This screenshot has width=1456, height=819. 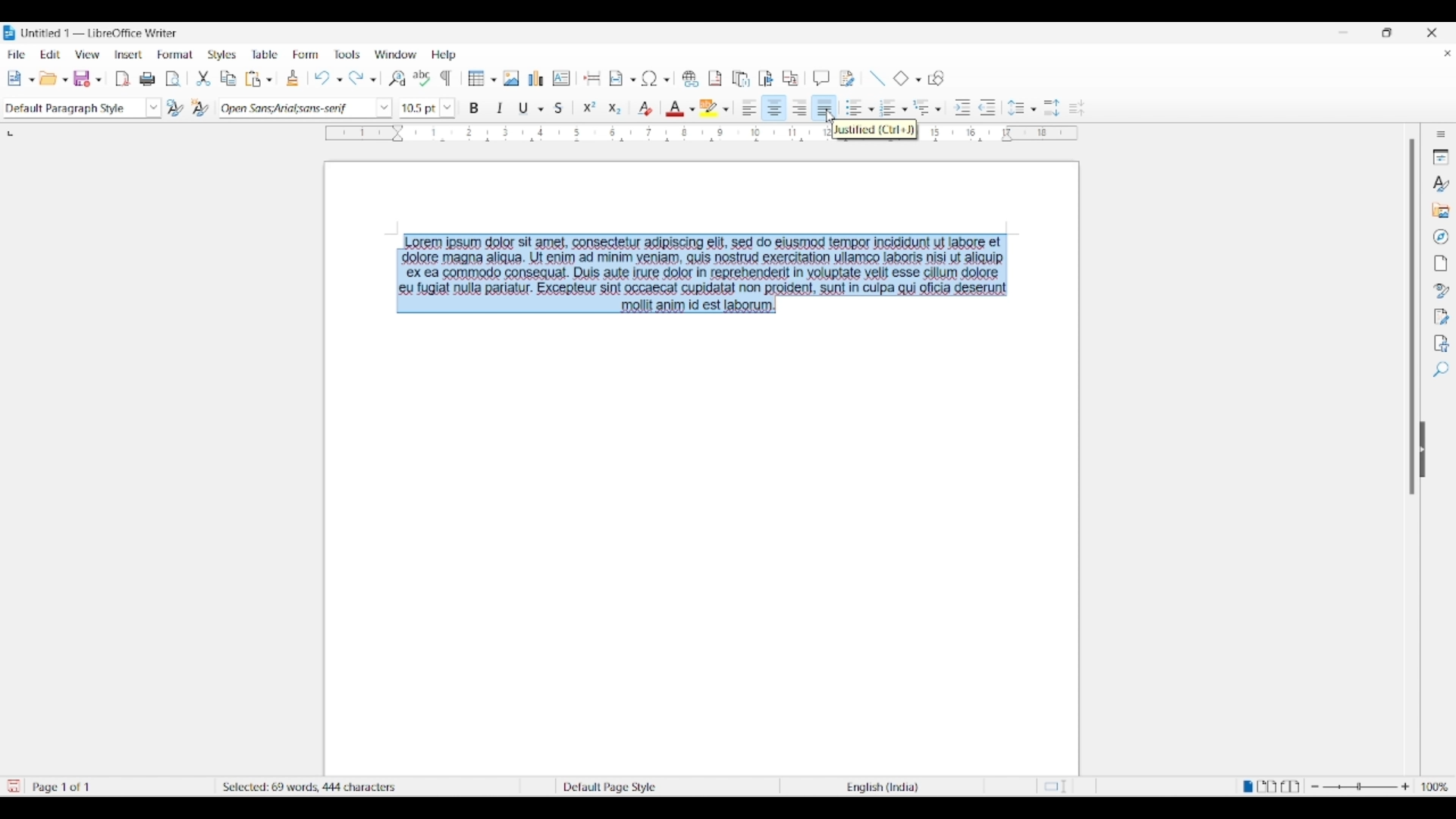 I want to click on Toggle ordered list options, so click(x=905, y=109).